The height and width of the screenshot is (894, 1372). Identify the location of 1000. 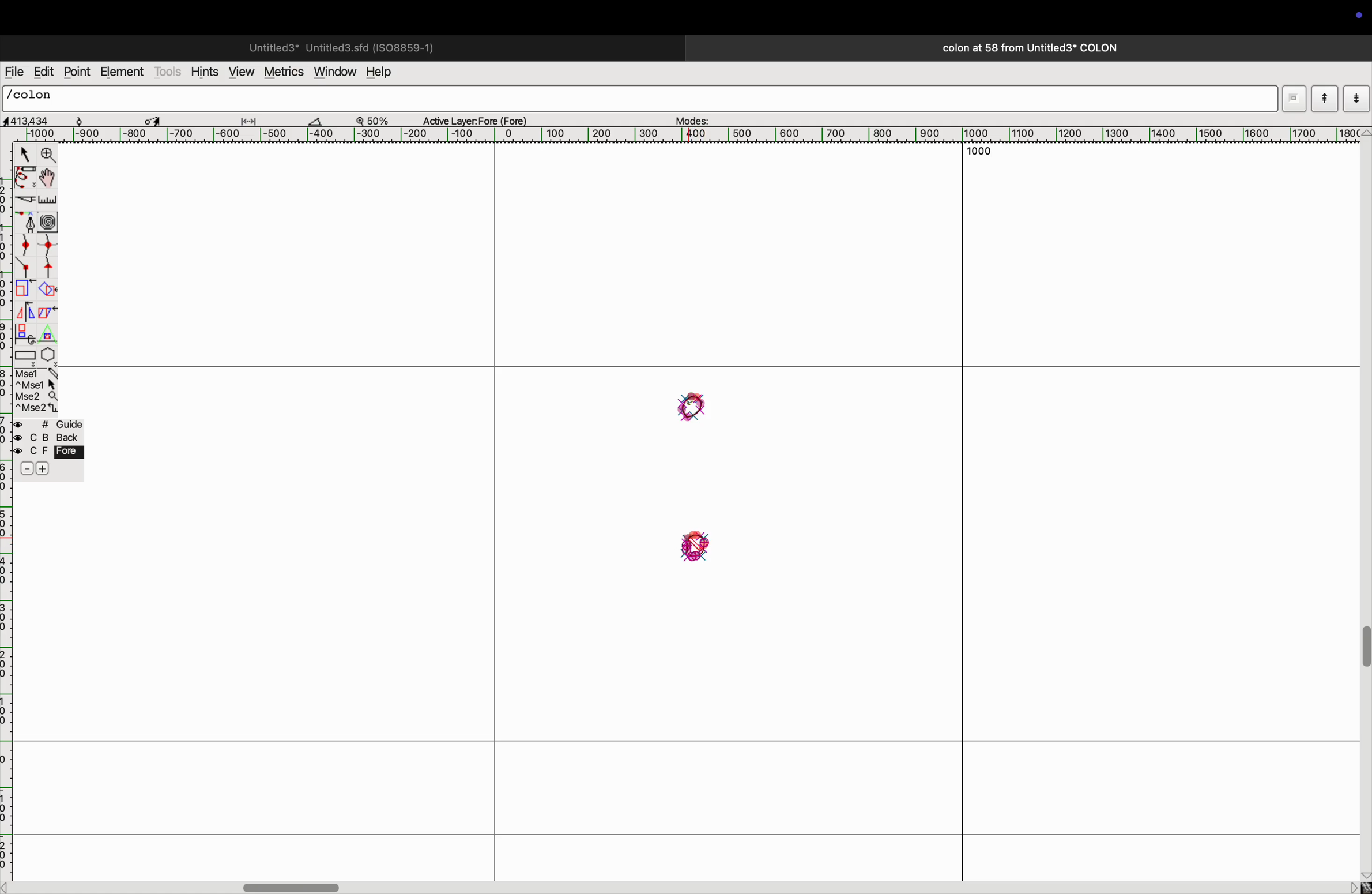
(982, 150).